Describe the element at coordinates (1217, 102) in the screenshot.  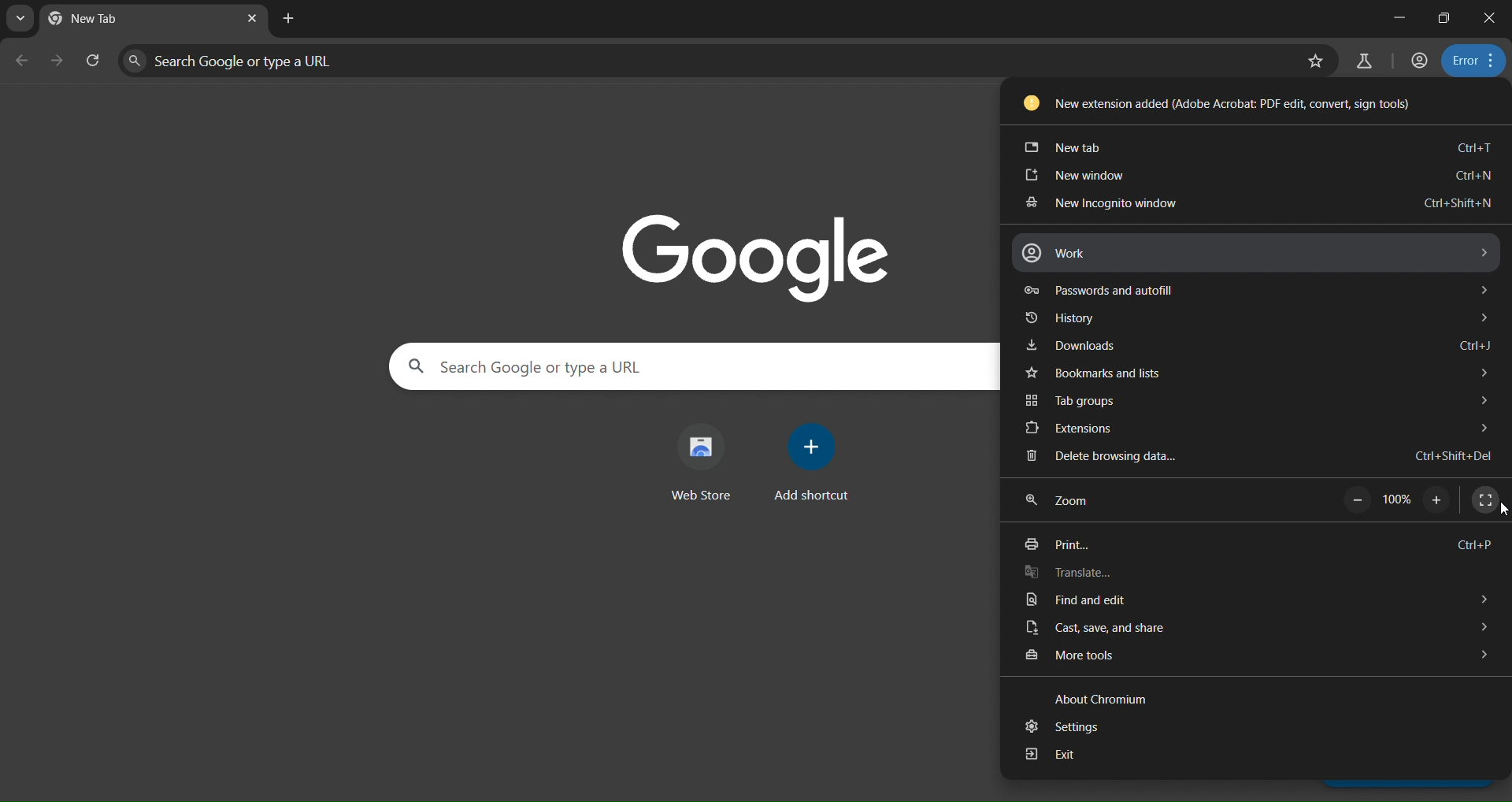
I see `@ New extension added (Adobe Acrobat: PDF edit, convert, sign tools)` at that location.